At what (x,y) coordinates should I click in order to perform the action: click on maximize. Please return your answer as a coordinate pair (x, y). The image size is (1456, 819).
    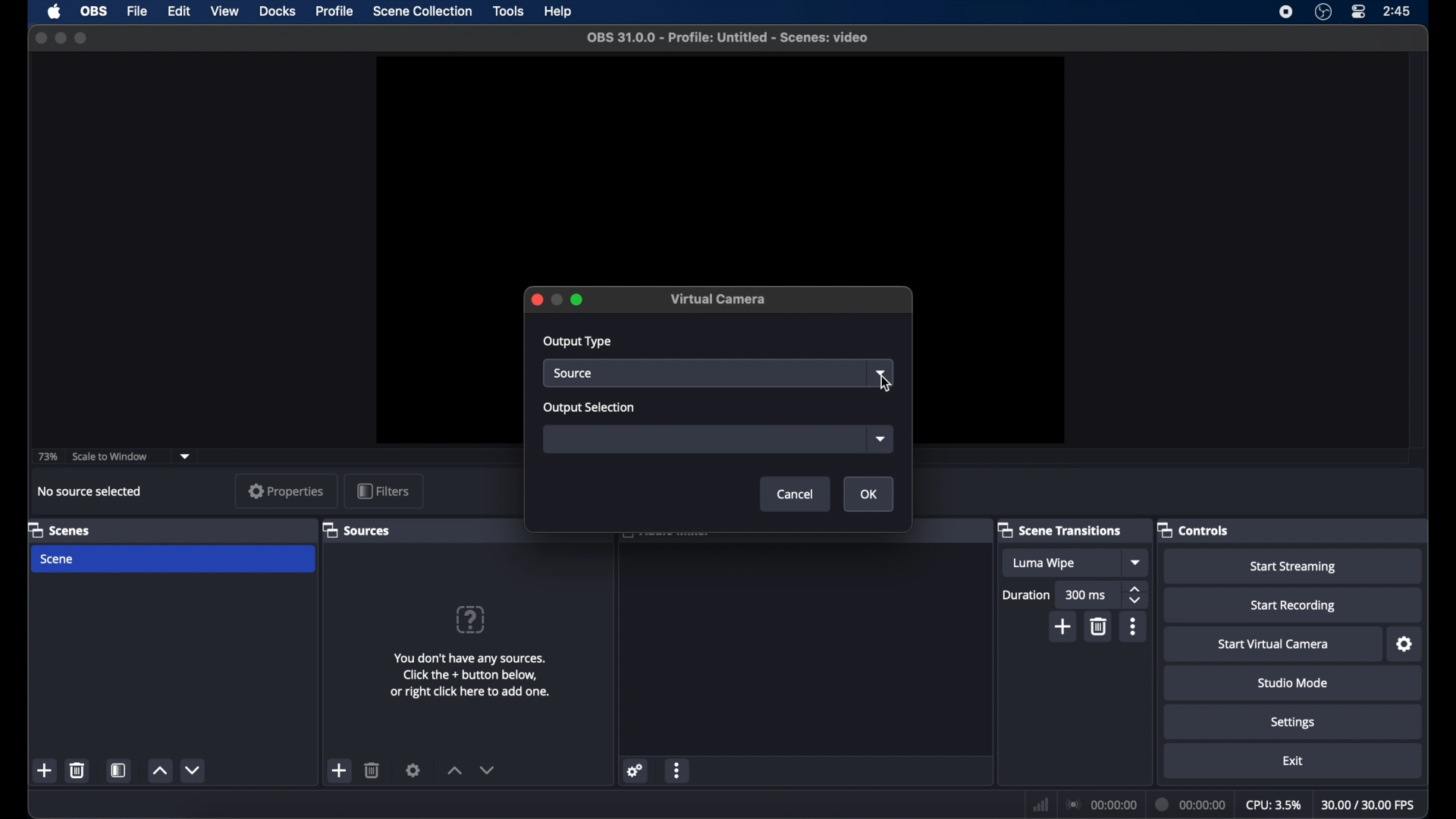
    Looking at the image, I should click on (579, 300).